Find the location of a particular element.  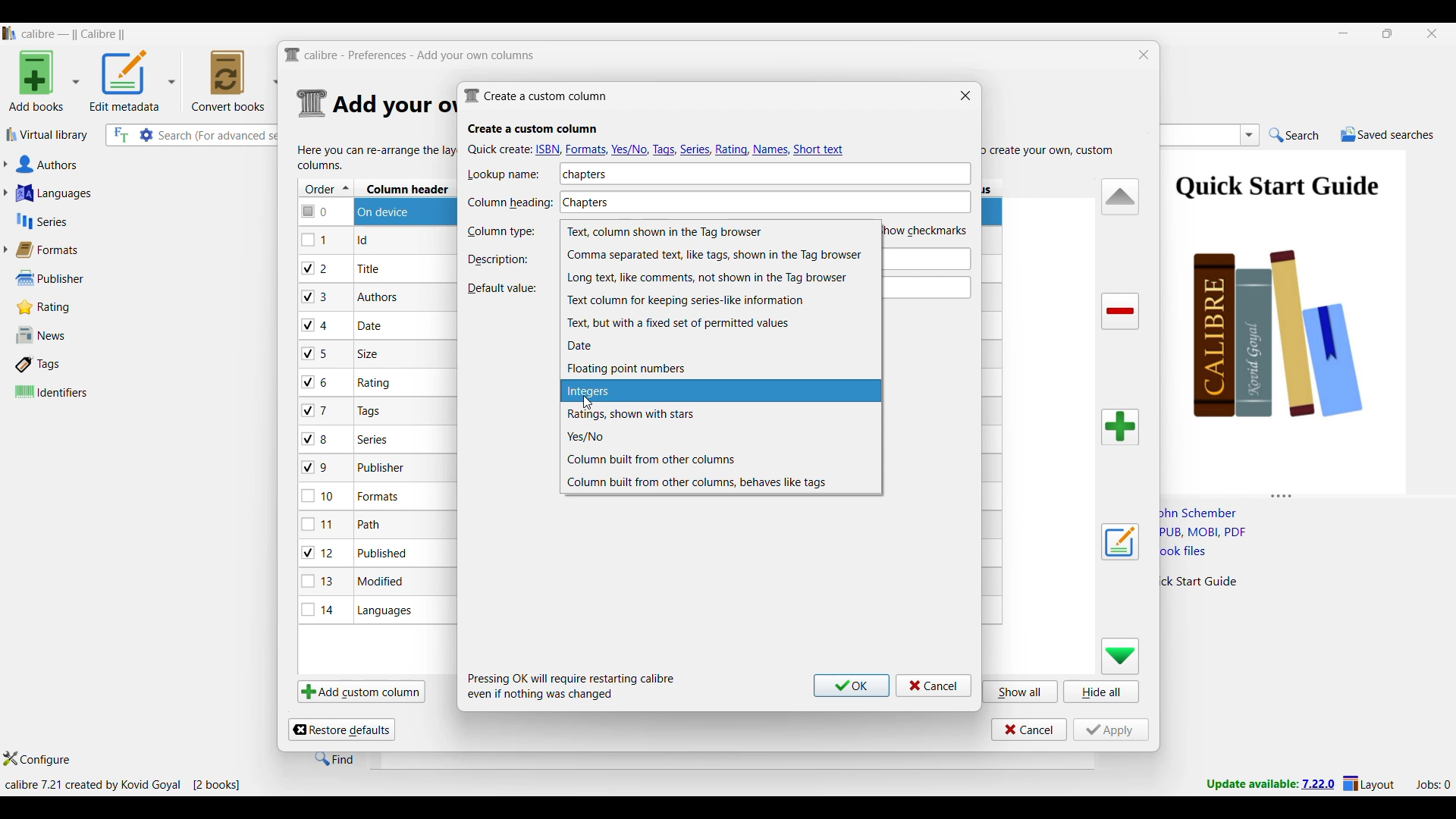

cursor is located at coordinates (589, 402).